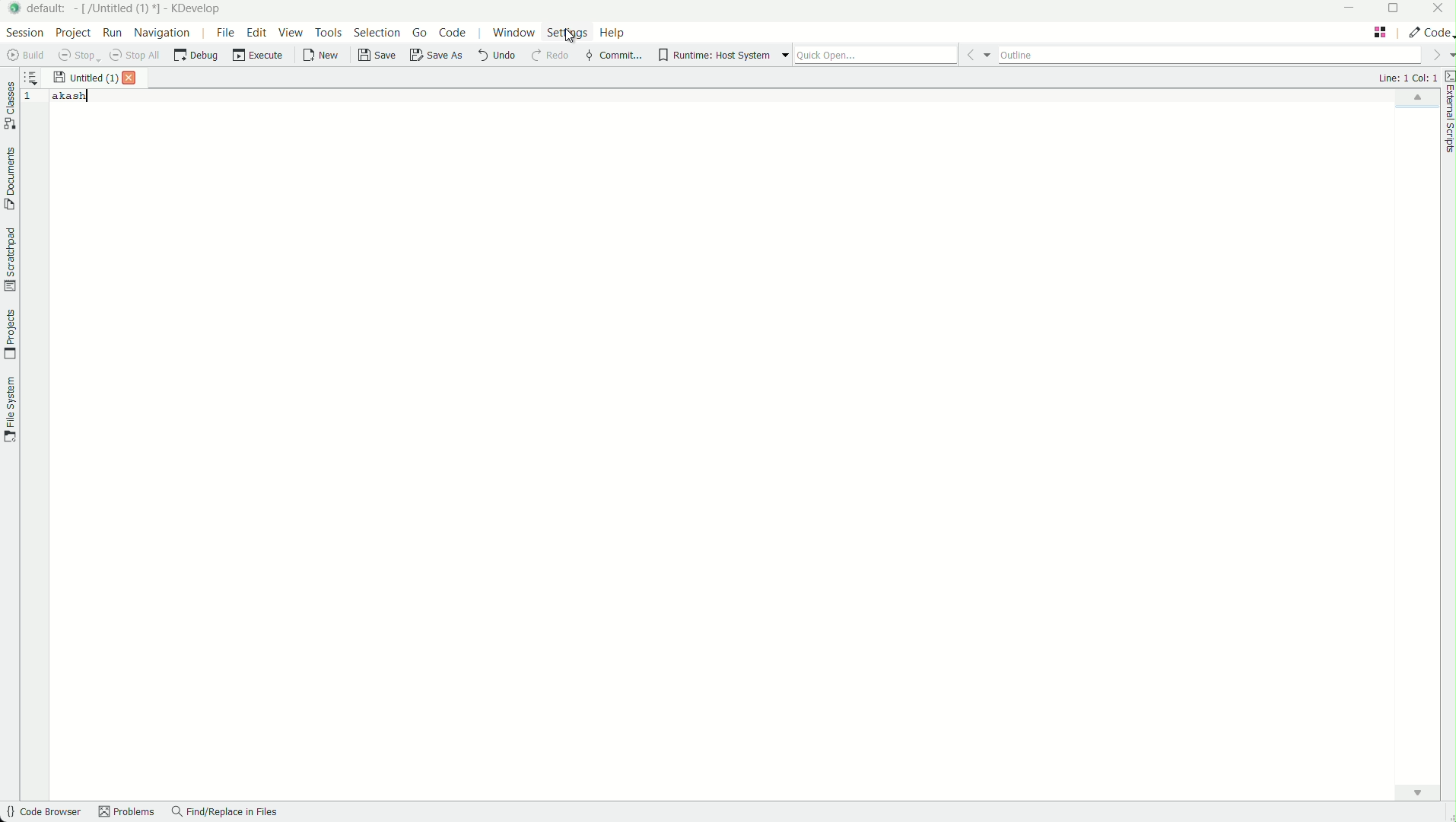  I want to click on close app, so click(1439, 10).